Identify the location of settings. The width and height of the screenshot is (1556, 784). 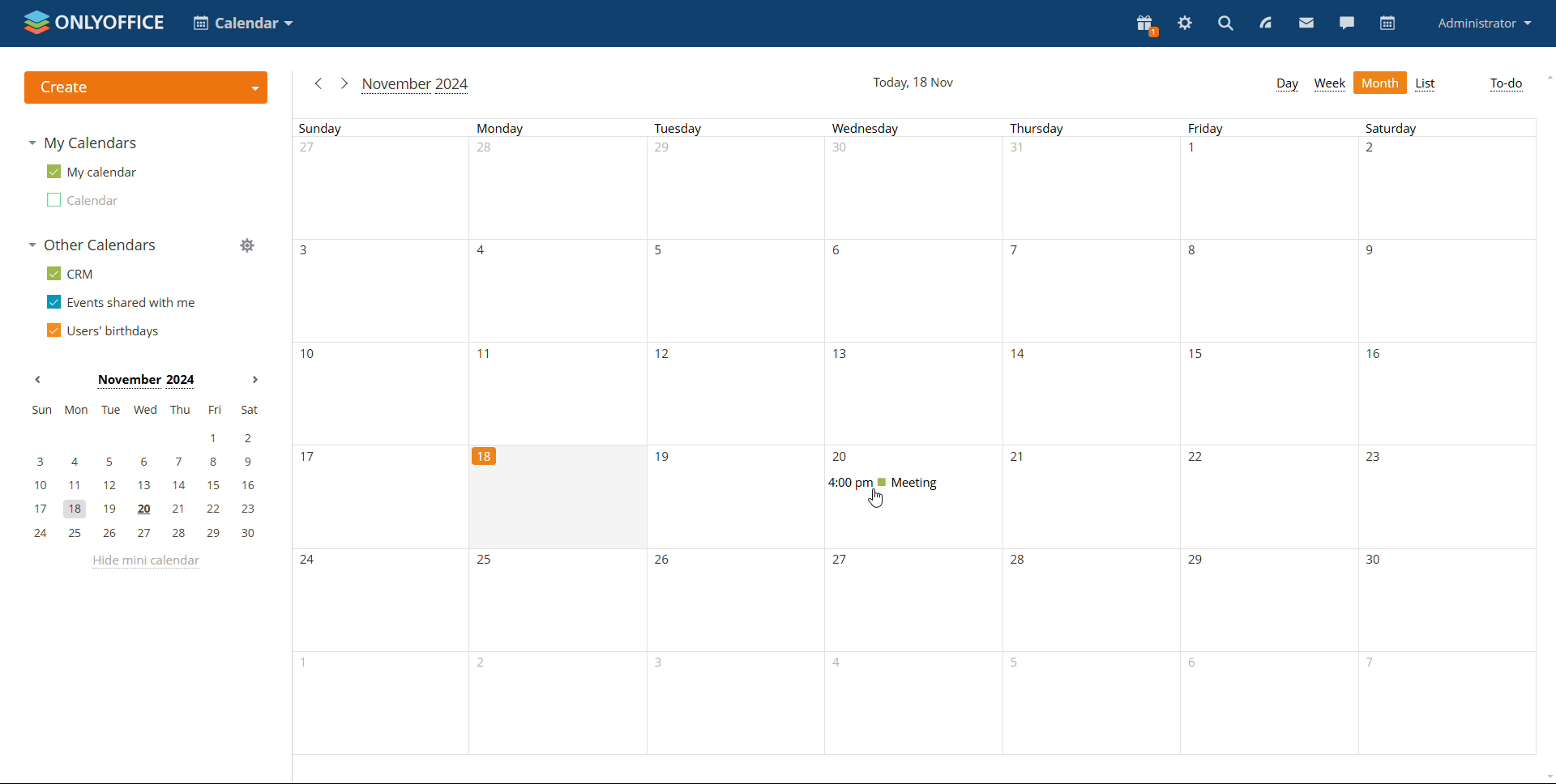
(1186, 21).